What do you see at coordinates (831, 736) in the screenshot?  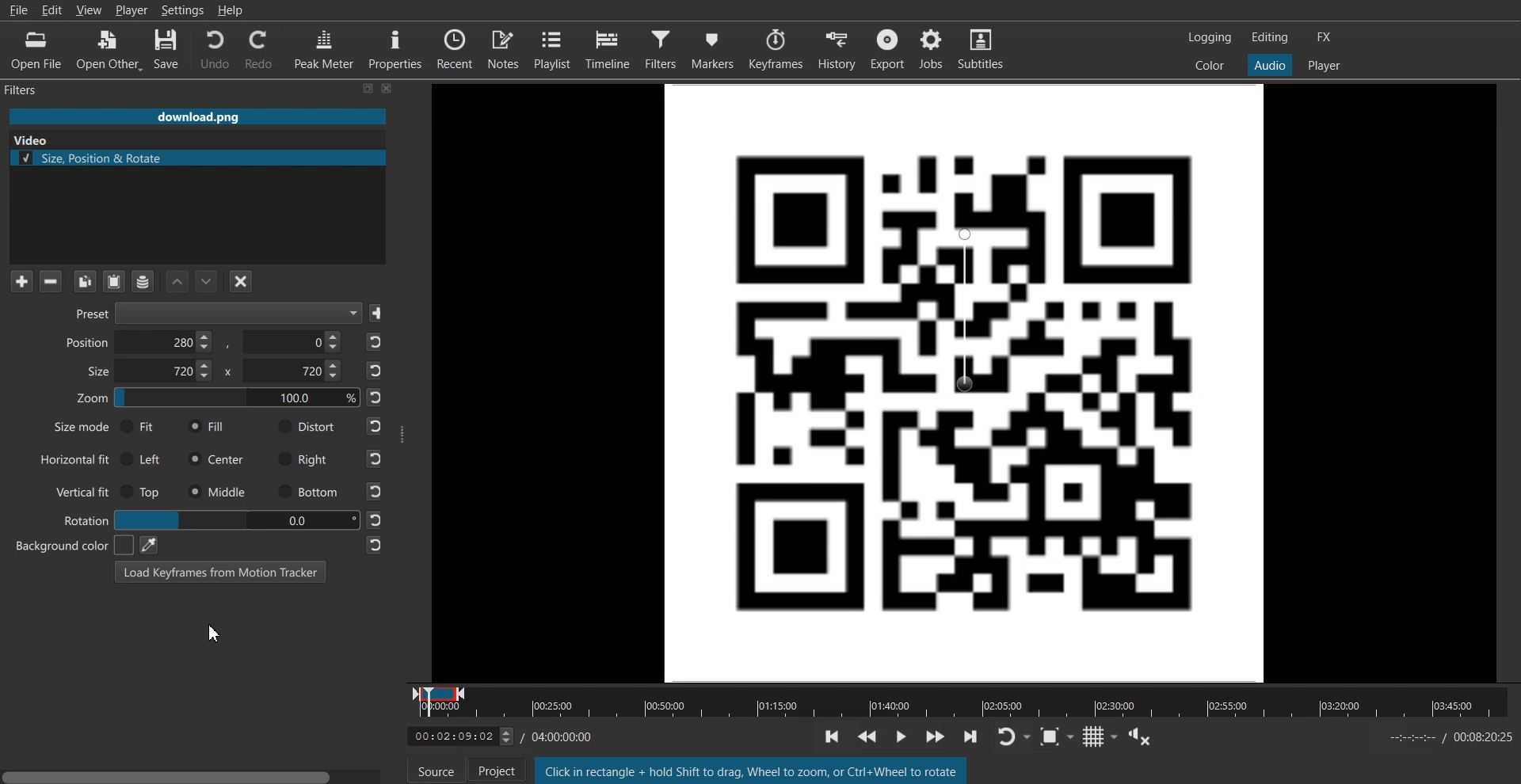 I see `Skip to the previous point` at bounding box center [831, 736].